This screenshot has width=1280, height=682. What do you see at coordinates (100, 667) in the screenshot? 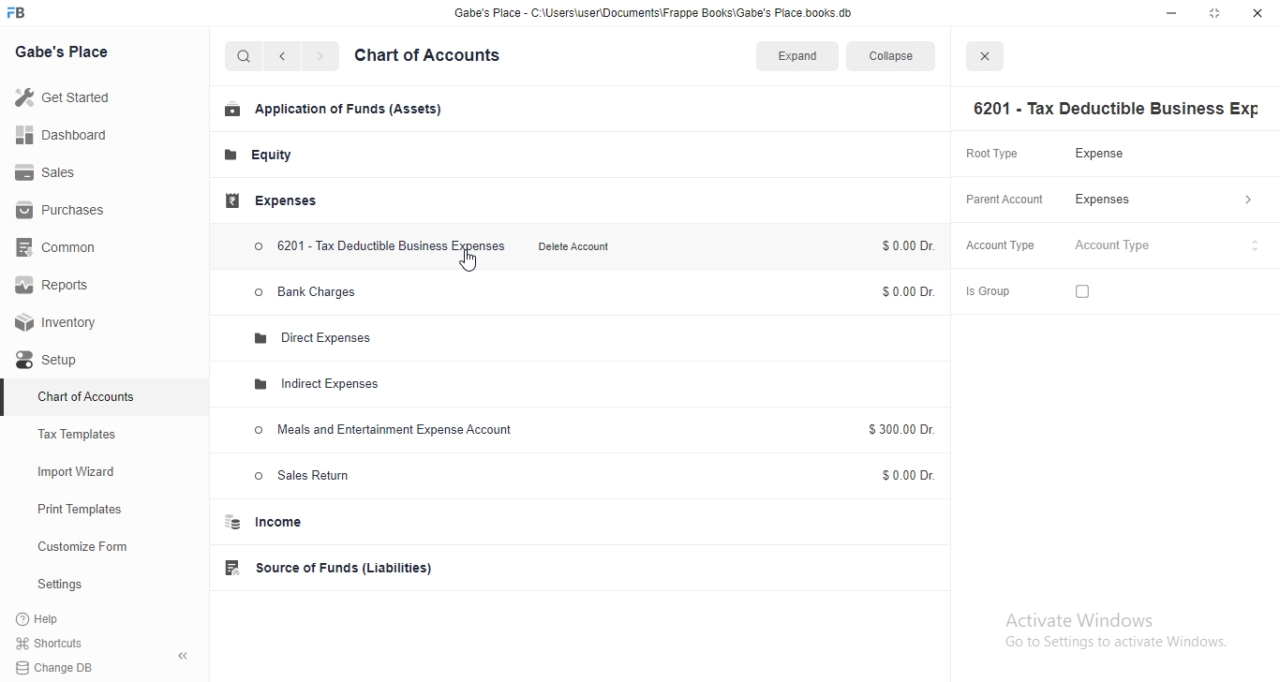
I see `Change DB` at bounding box center [100, 667].